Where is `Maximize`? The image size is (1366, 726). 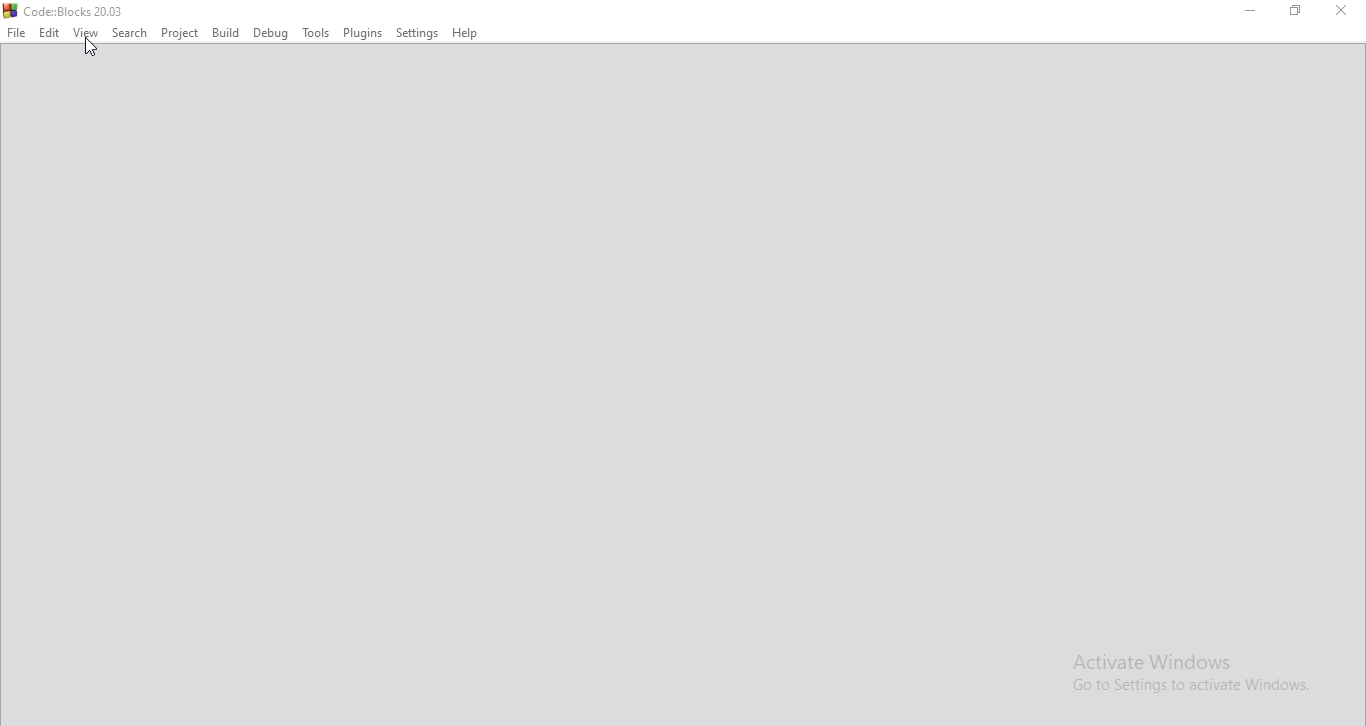 Maximize is located at coordinates (1295, 13).